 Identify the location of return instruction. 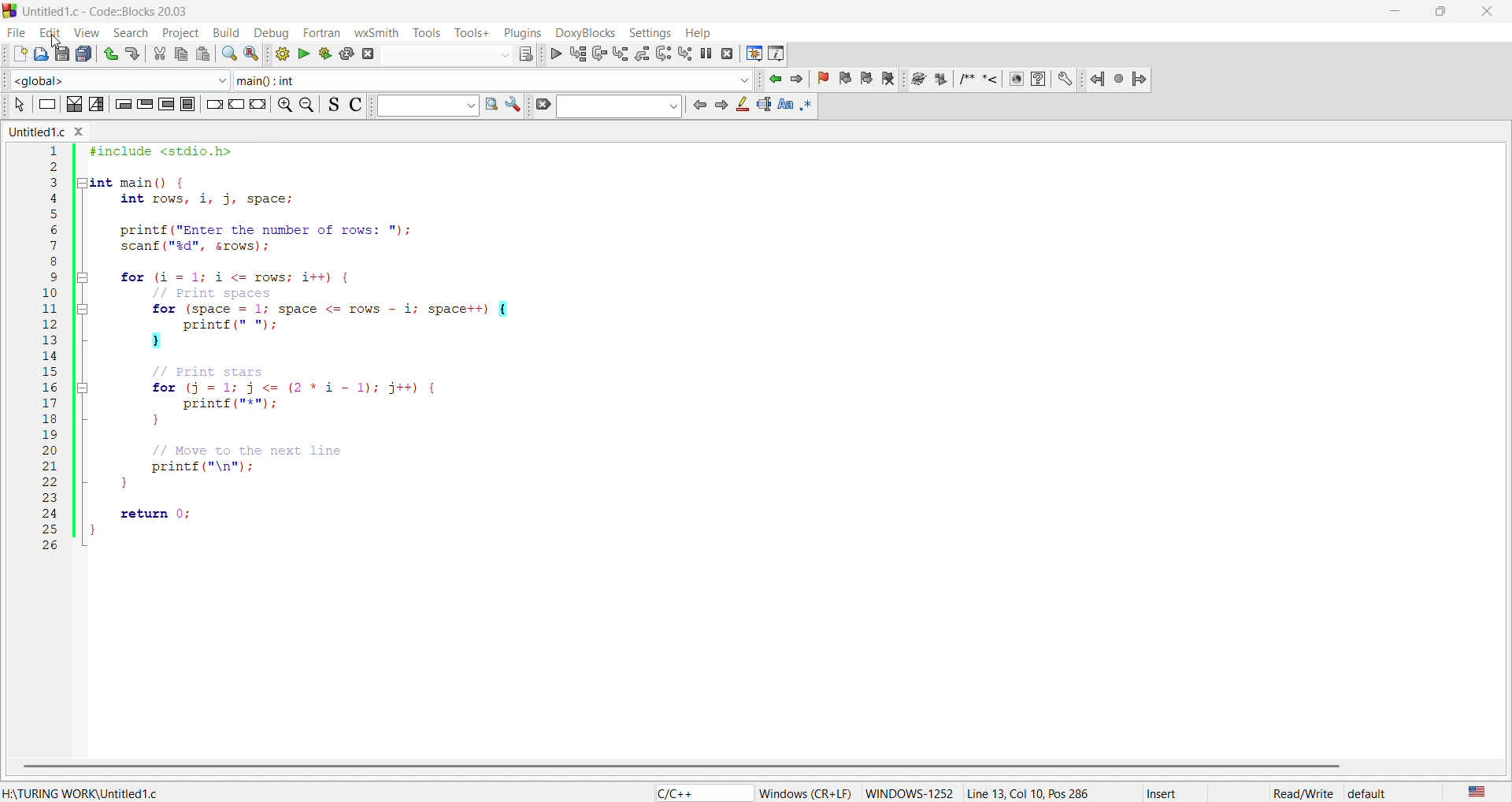
(258, 103).